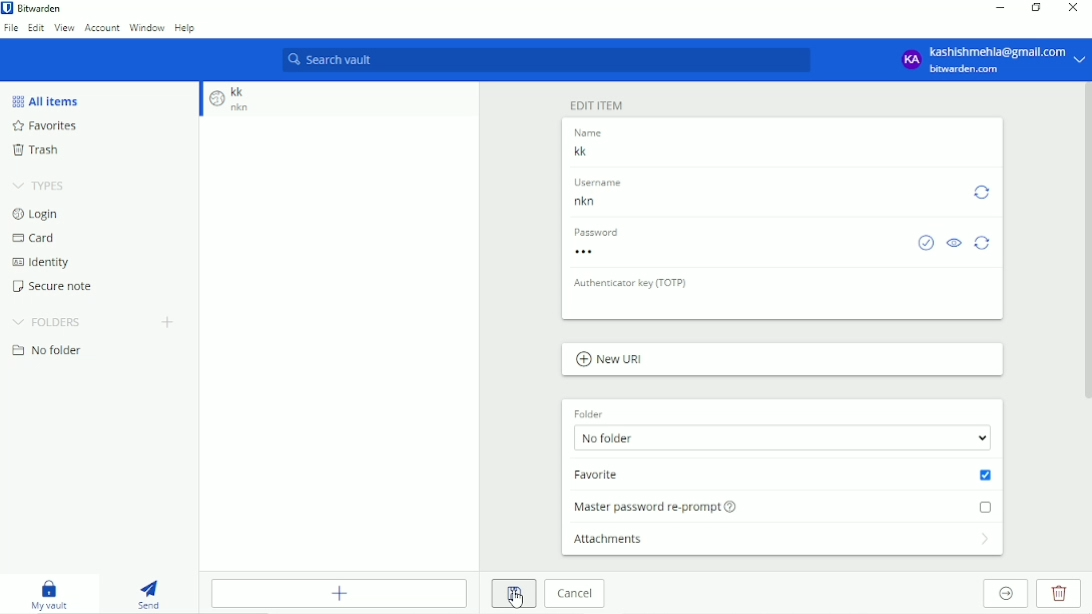 The height and width of the screenshot is (614, 1092). What do you see at coordinates (34, 239) in the screenshot?
I see `Card` at bounding box center [34, 239].